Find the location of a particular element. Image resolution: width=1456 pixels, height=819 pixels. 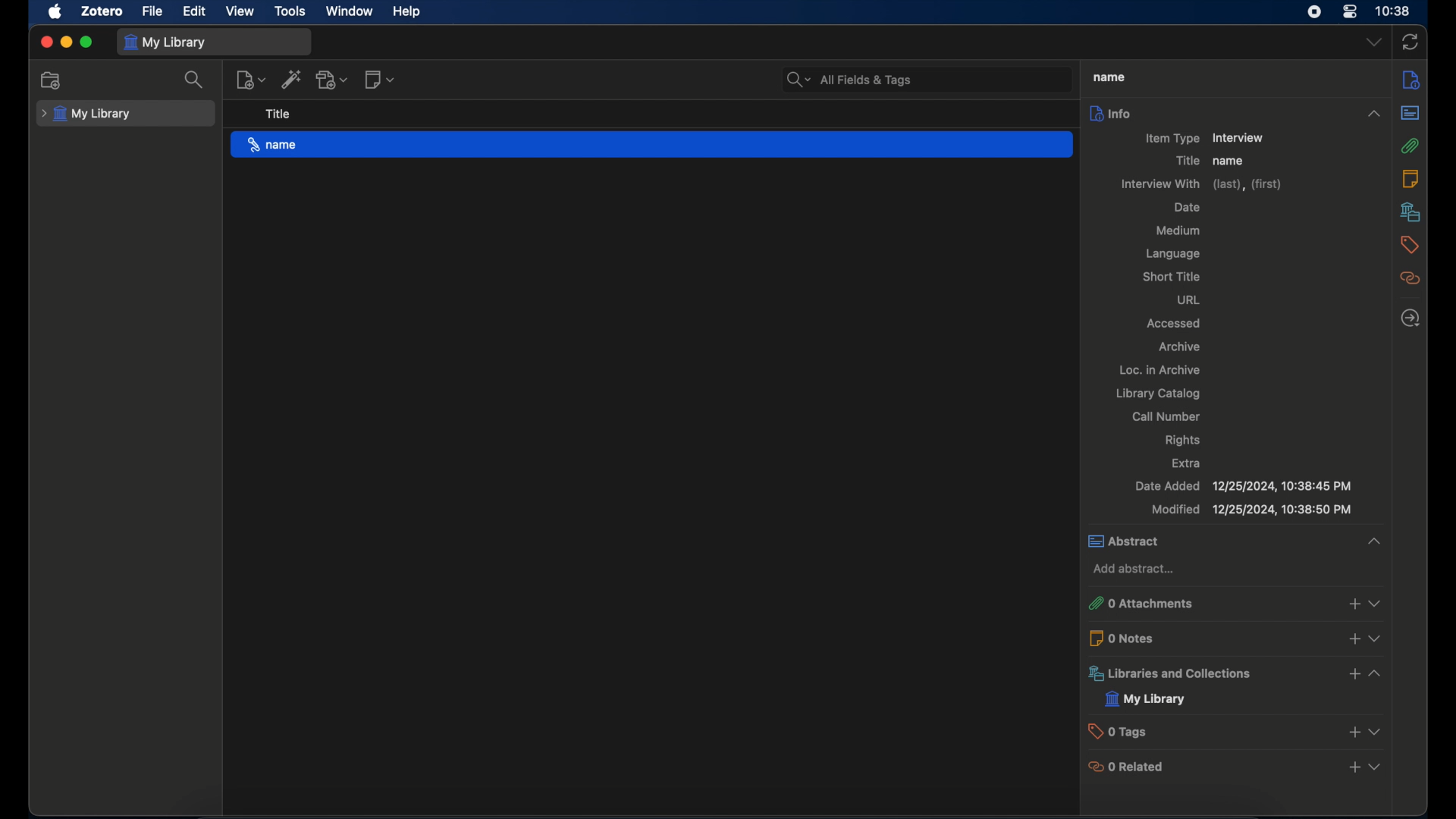

search bar is located at coordinates (849, 80).